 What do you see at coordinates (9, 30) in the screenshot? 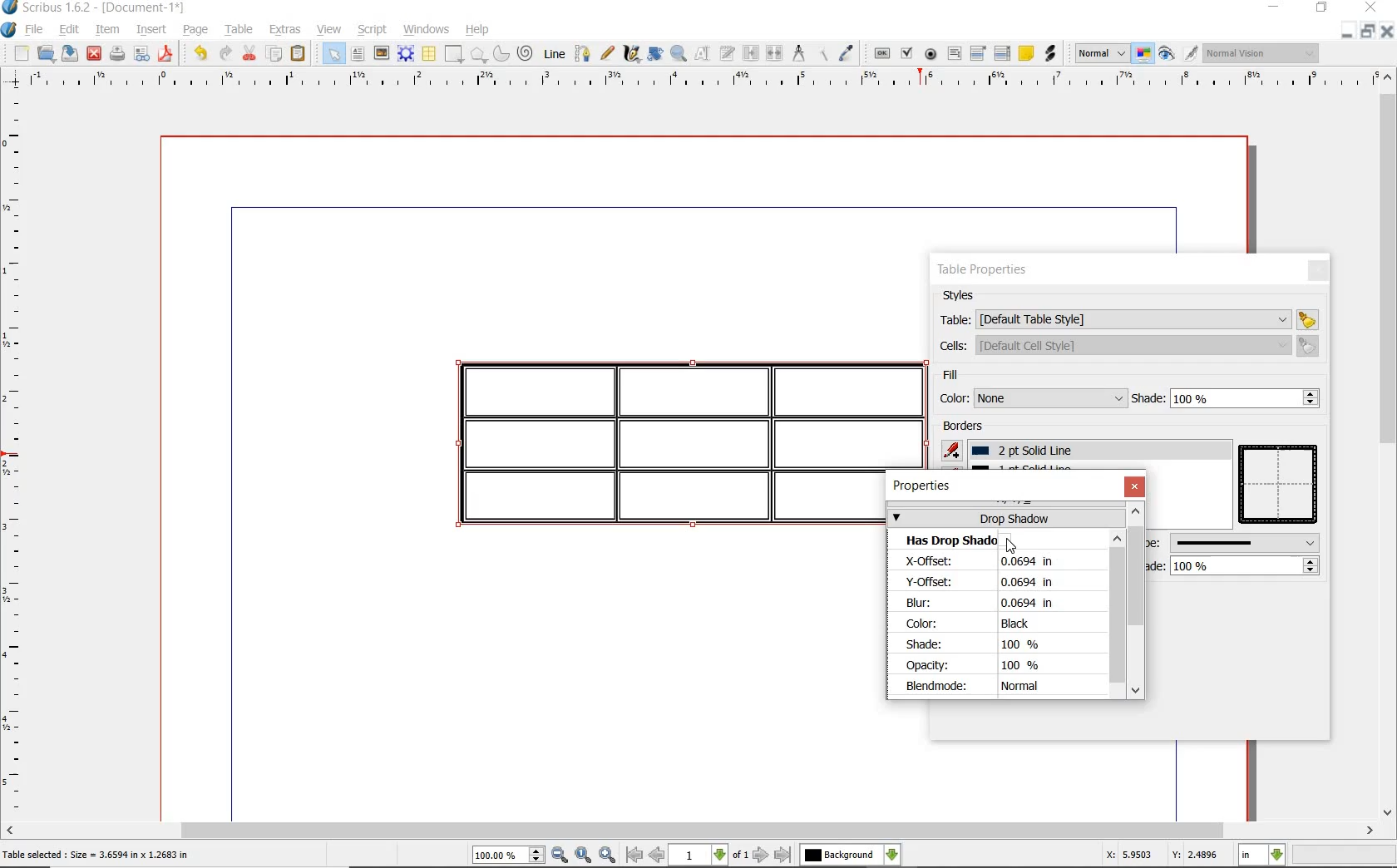
I see `system logo` at bounding box center [9, 30].